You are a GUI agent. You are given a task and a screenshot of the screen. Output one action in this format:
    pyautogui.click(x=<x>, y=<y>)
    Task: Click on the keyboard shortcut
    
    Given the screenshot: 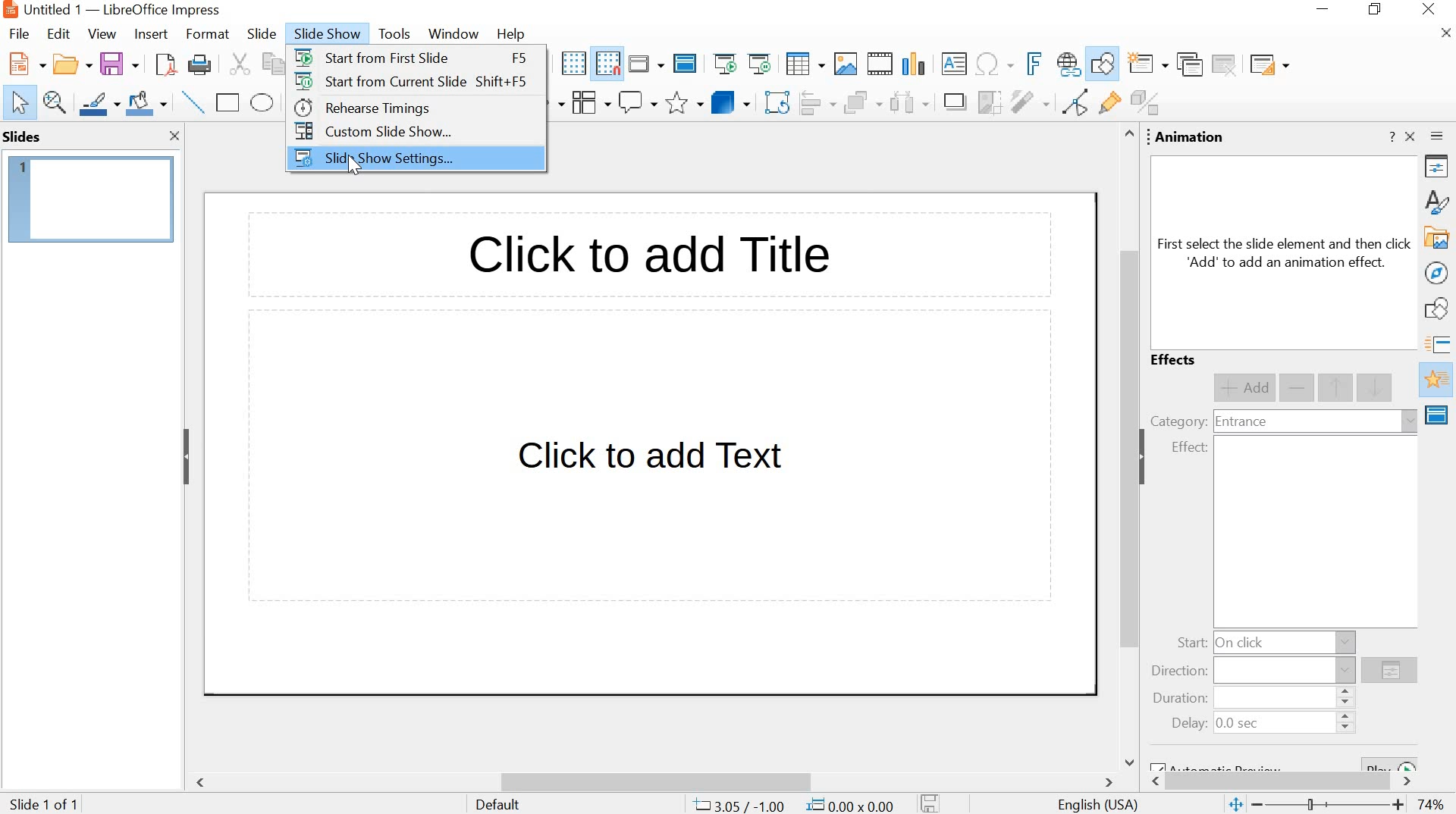 What is the action you would take?
    pyautogui.click(x=517, y=58)
    